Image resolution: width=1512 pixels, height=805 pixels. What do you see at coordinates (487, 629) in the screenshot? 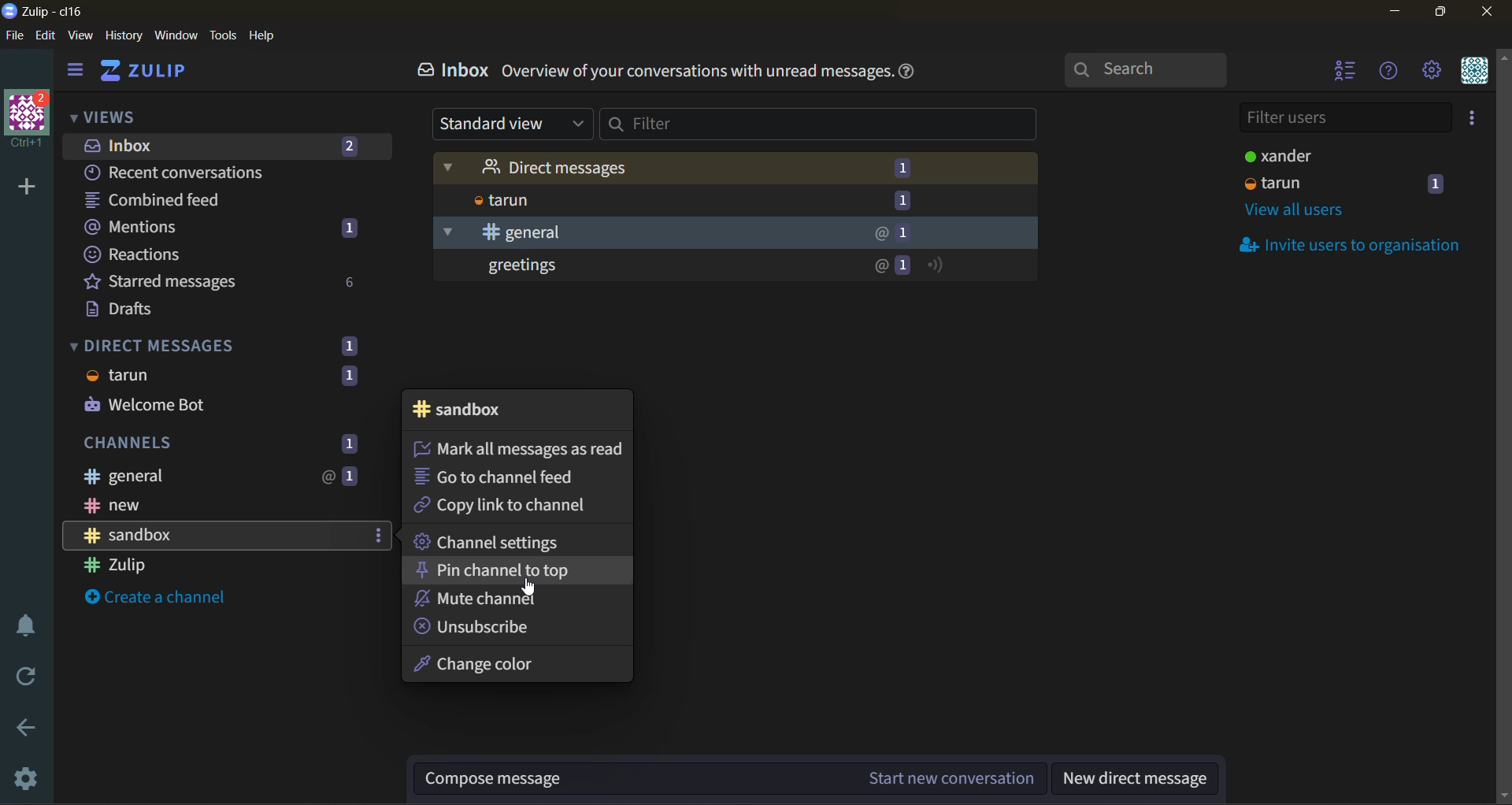
I see `unsubscribe` at bounding box center [487, 629].